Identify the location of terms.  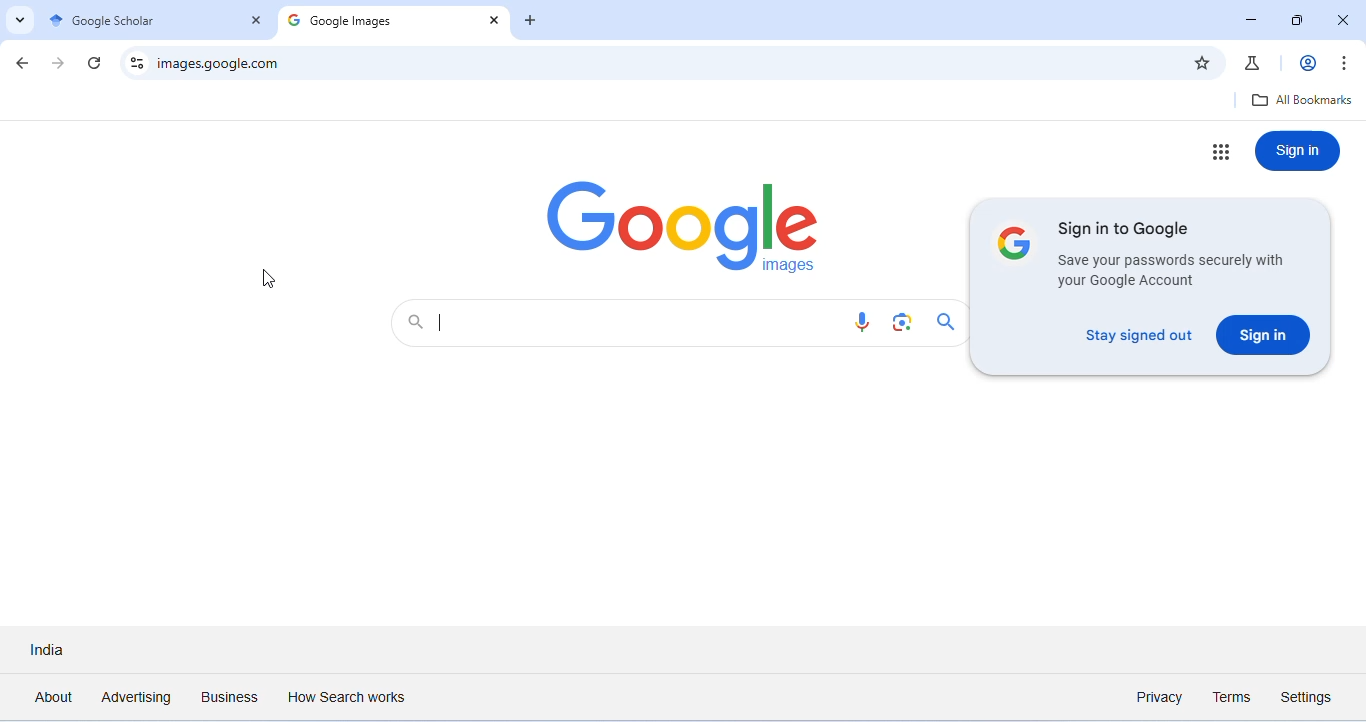
(1231, 697).